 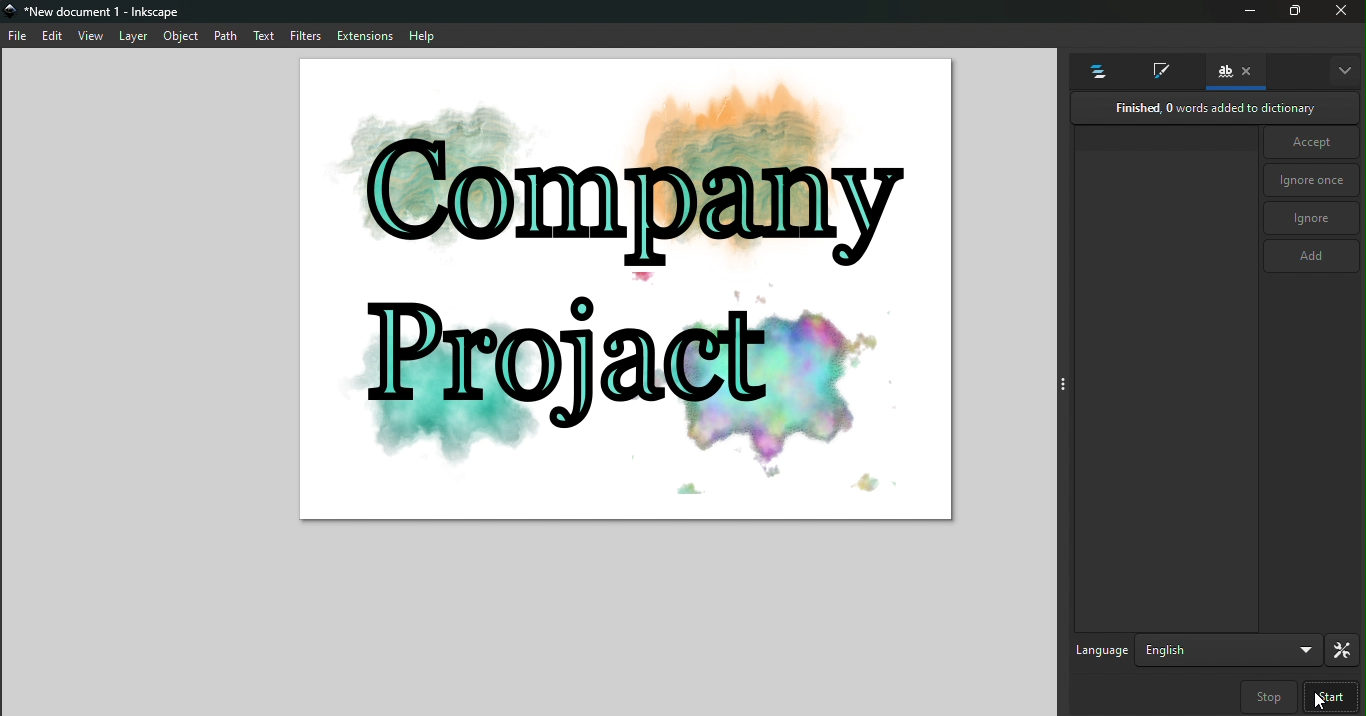 I want to click on  *New document 1 - Inkscape, so click(x=110, y=12).